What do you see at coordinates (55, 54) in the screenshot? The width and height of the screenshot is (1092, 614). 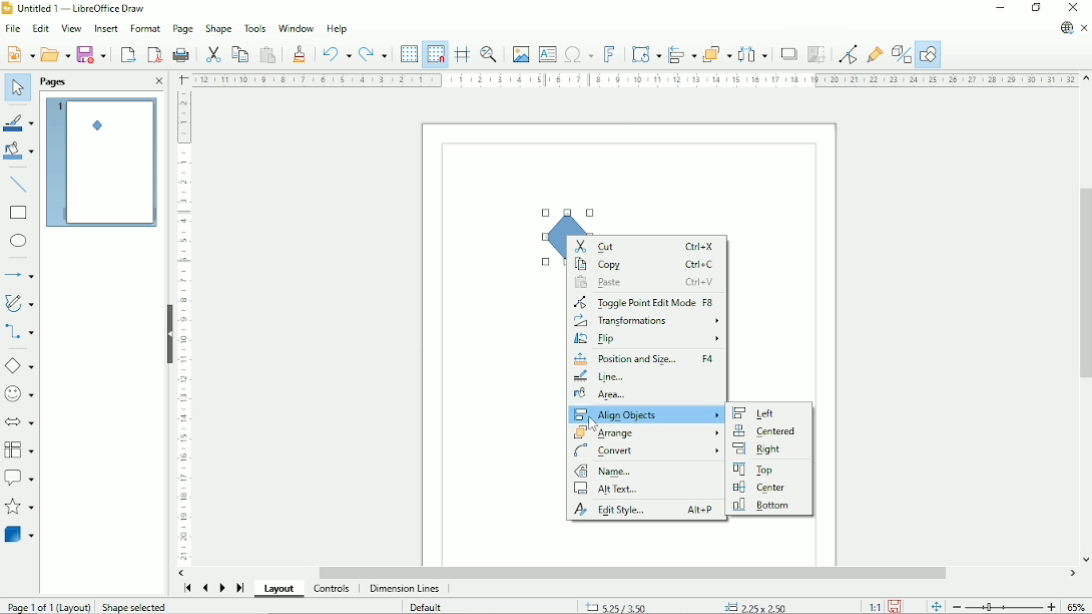 I see `Open ` at bounding box center [55, 54].